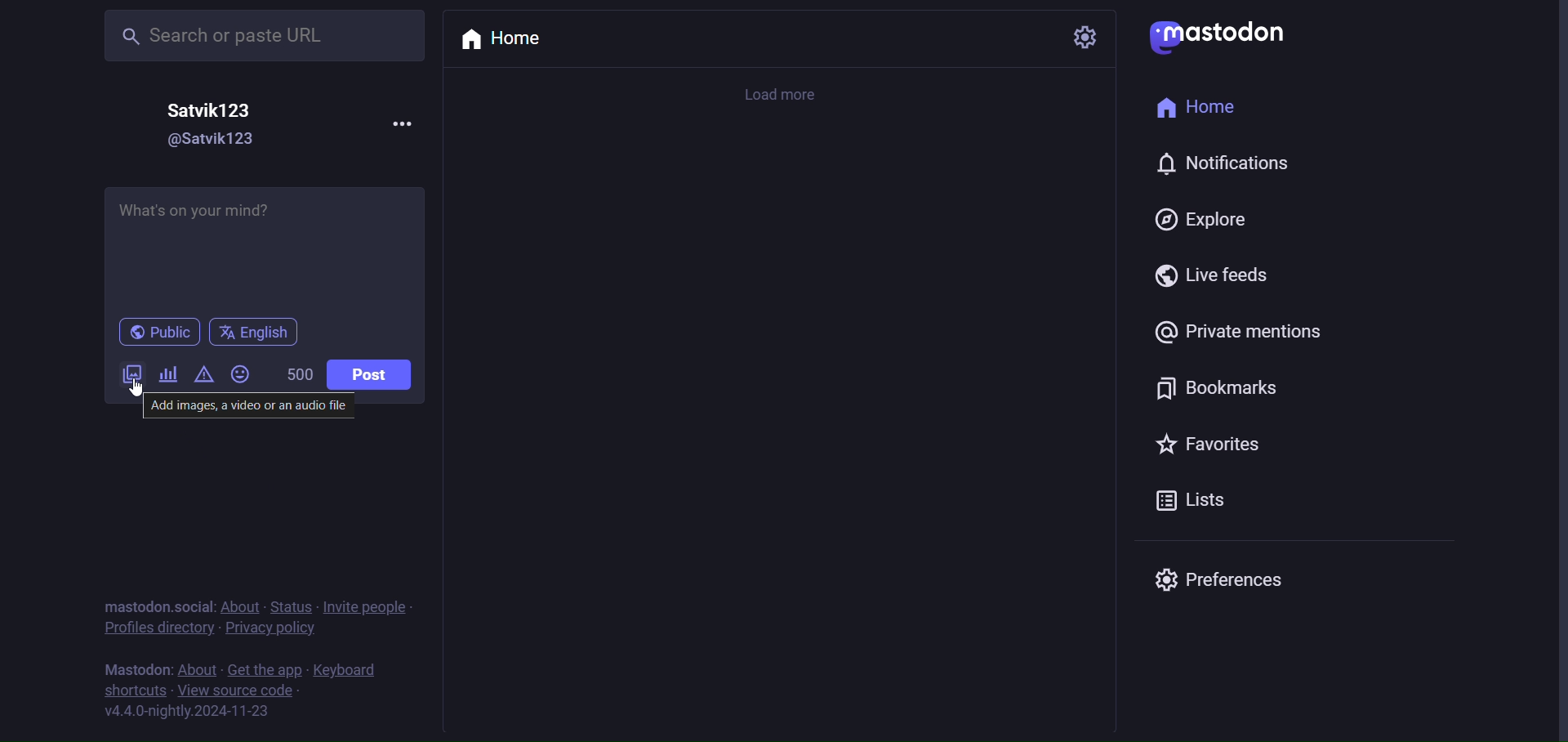 Image resolution: width=1568 pixels, height=742 pixels. I want to click on about, so click(240, 606).